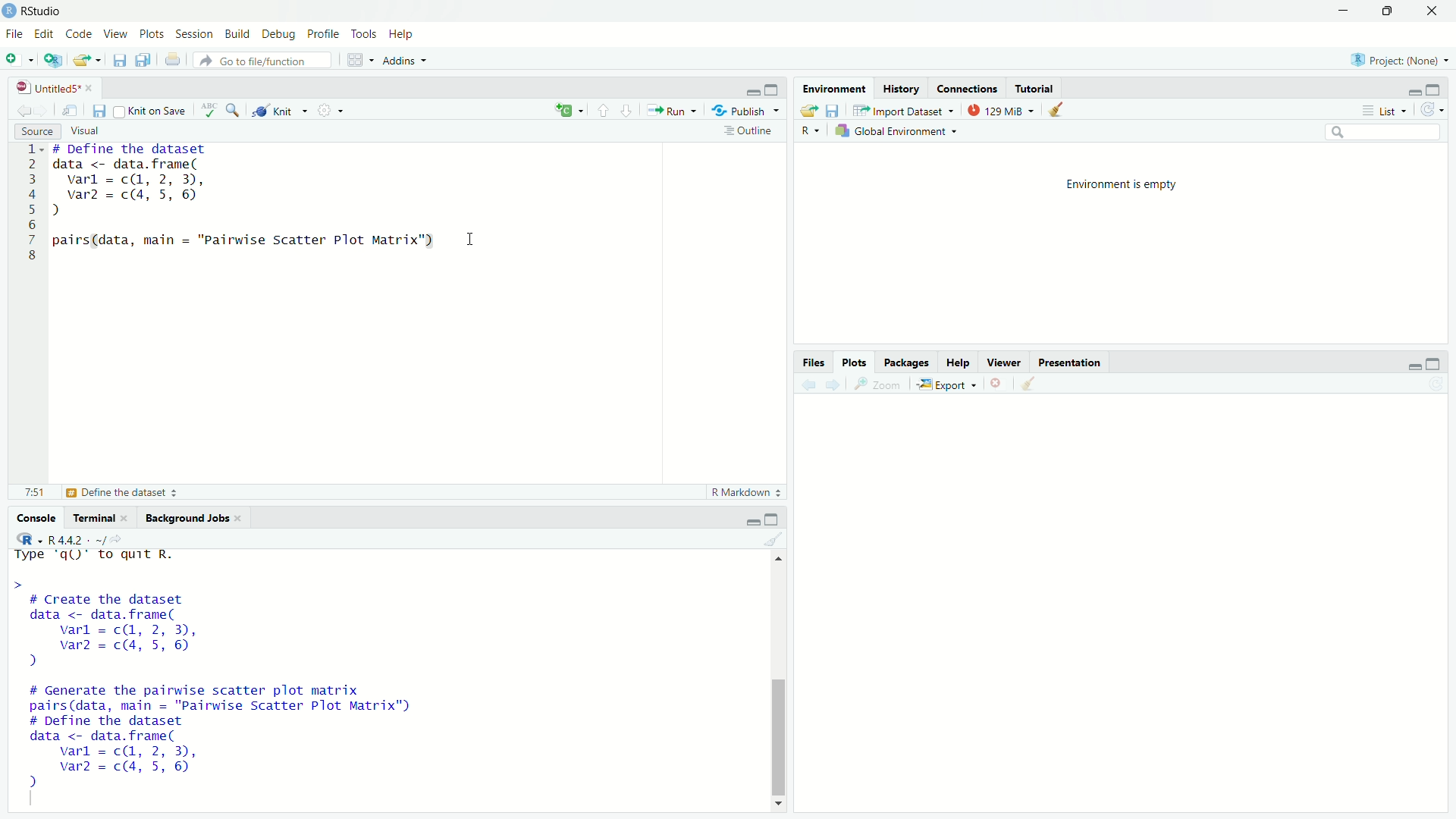 This screenshot has height=819, width=1456. Describe the element at coordinates (1026, 383) in the screenshot. I see `Clear console (Ctrl +L)` at that location.